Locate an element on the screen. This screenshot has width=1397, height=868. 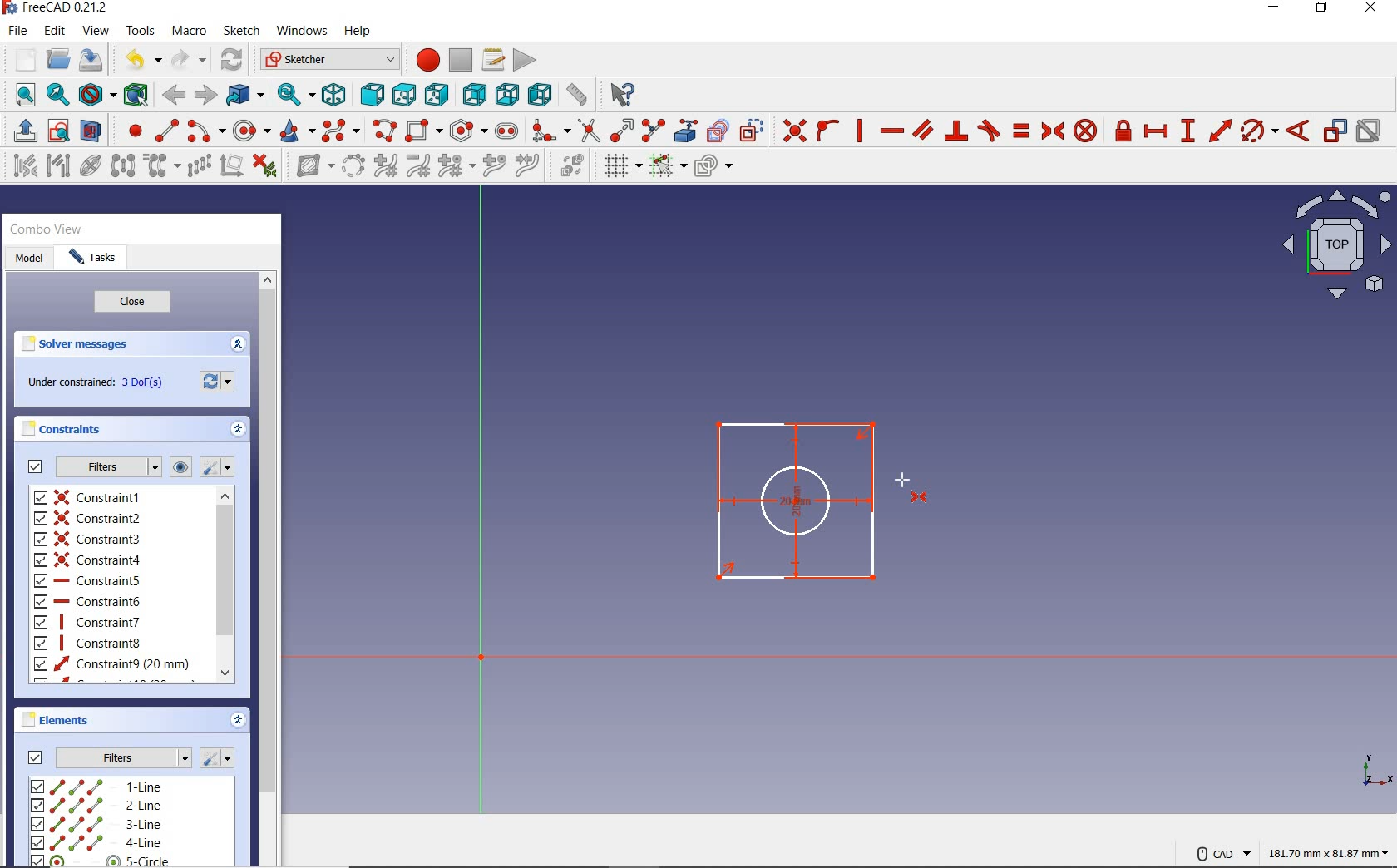
Cursor is located at coordinates (903, 479).